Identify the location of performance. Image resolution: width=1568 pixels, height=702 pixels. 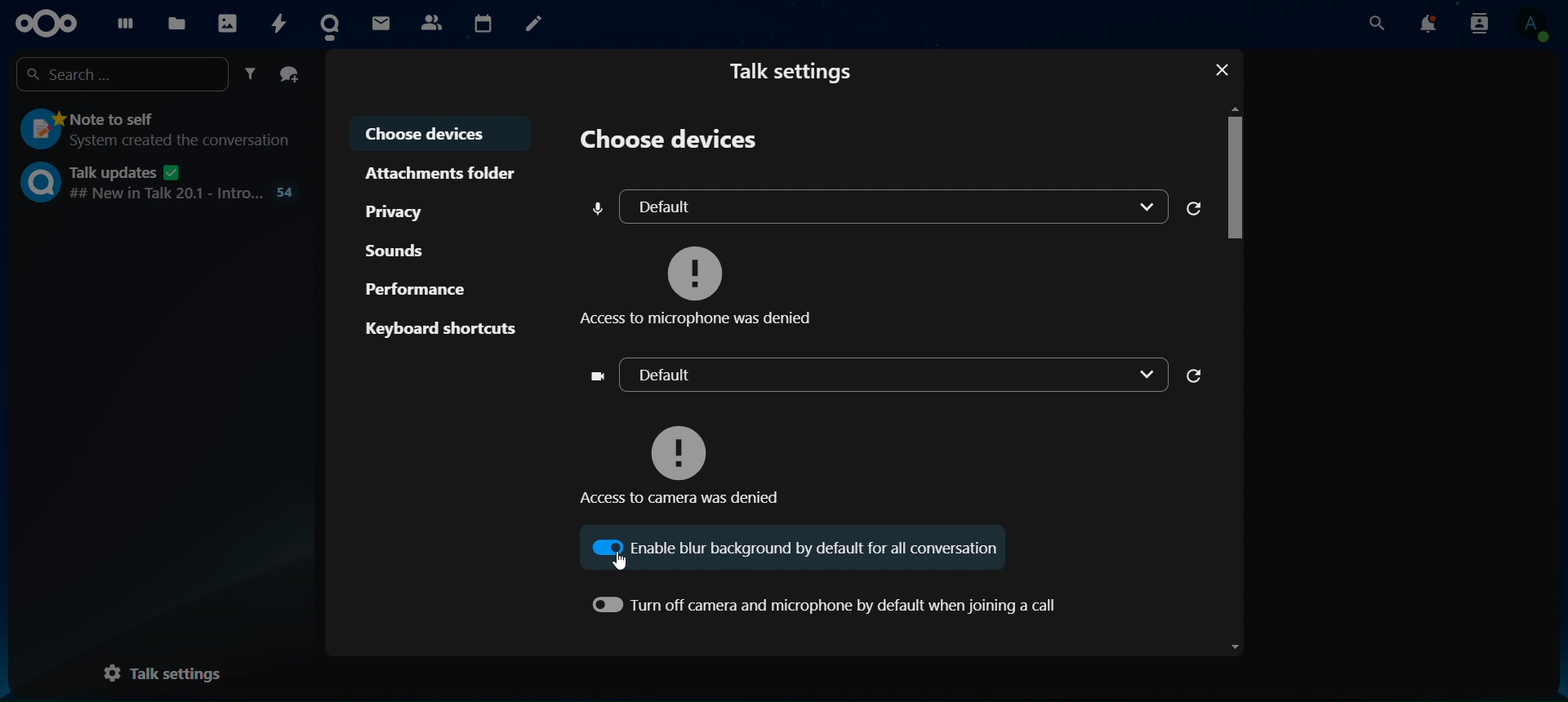
(415, 289).